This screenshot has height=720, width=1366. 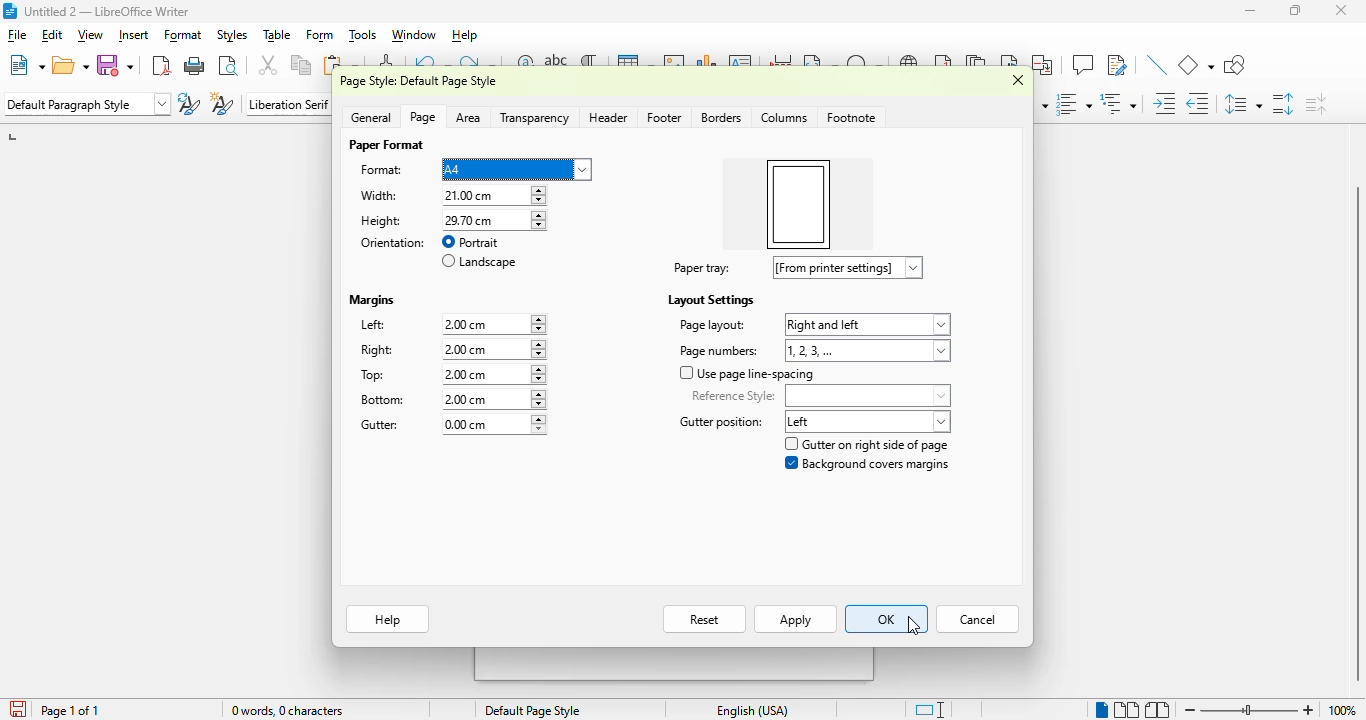 What do you see at coordinates (1019, 80) in the screenshot?
I see `close` at bounding box center [1019, 80].